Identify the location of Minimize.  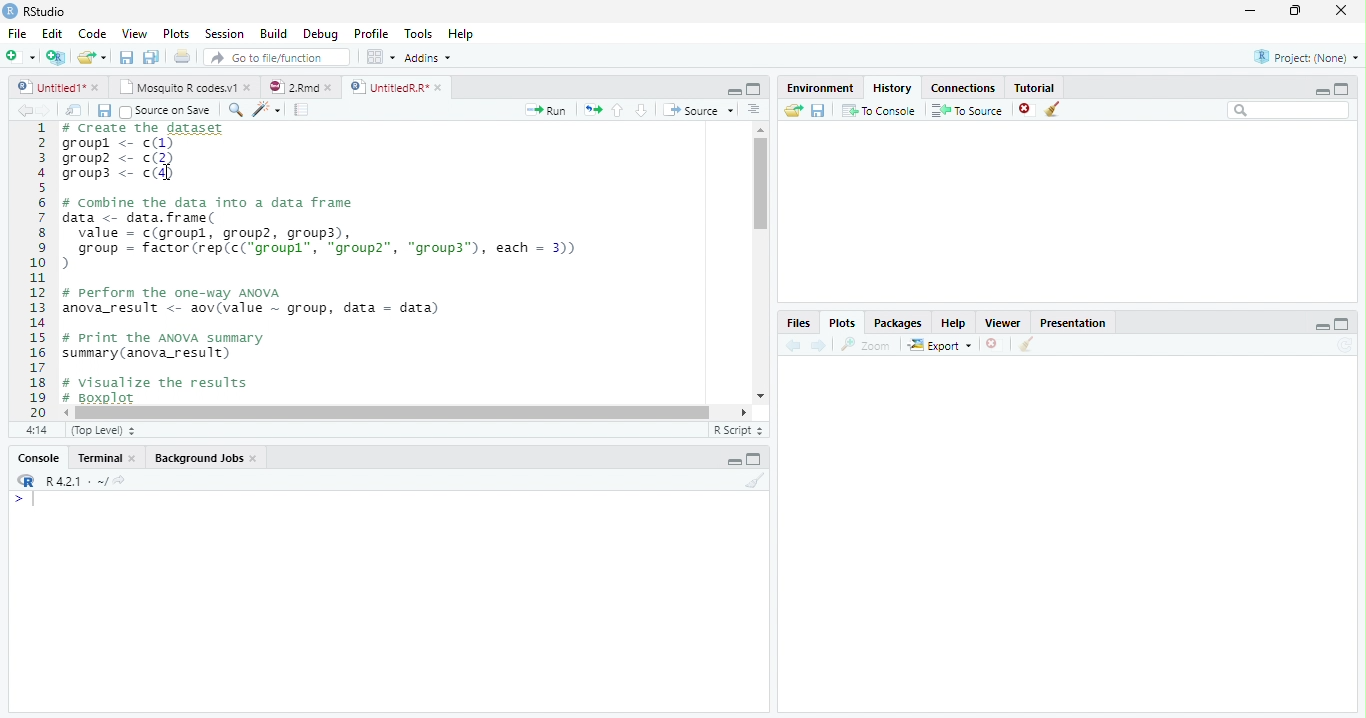
(1319, 91).